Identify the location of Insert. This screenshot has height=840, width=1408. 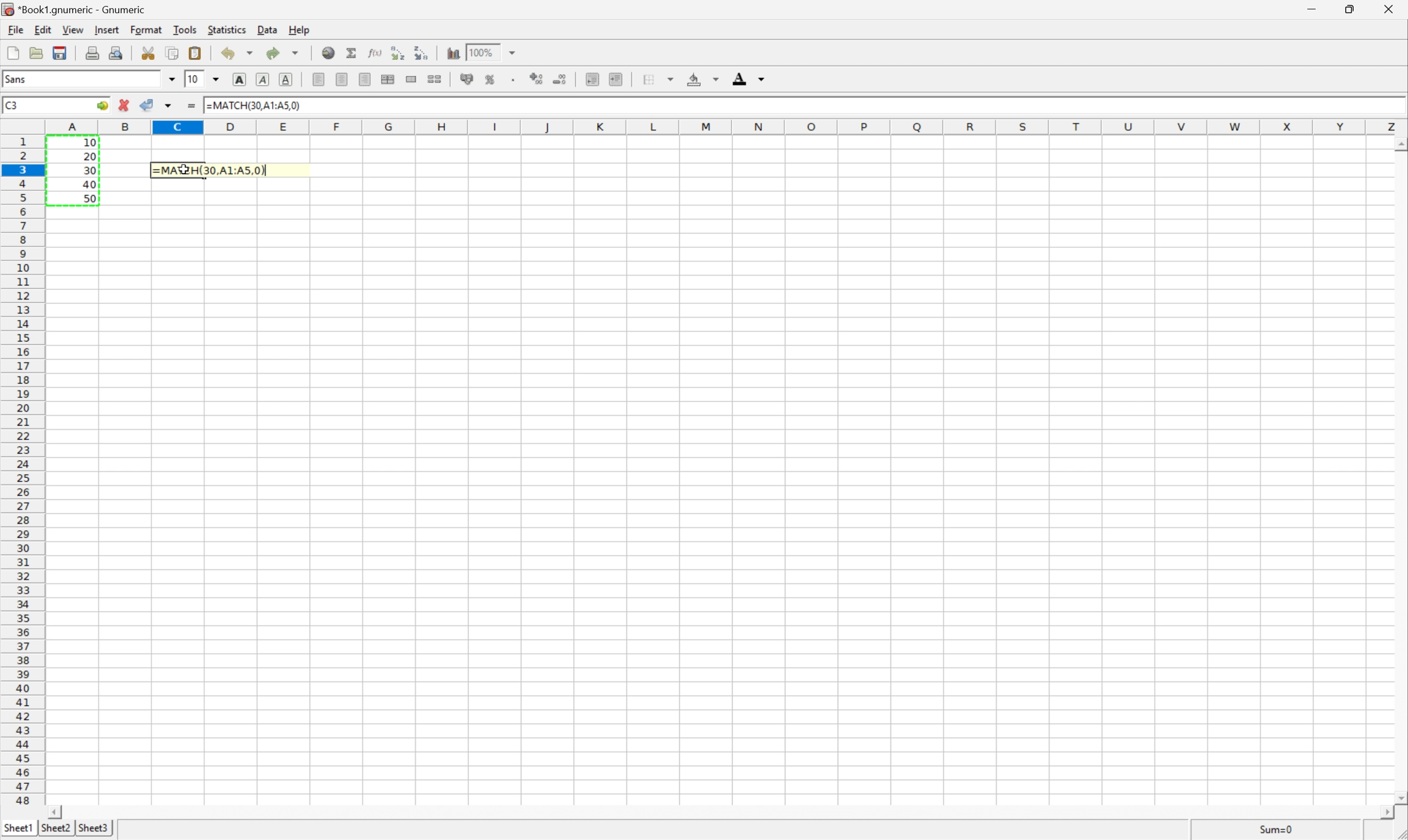
(106, 29).